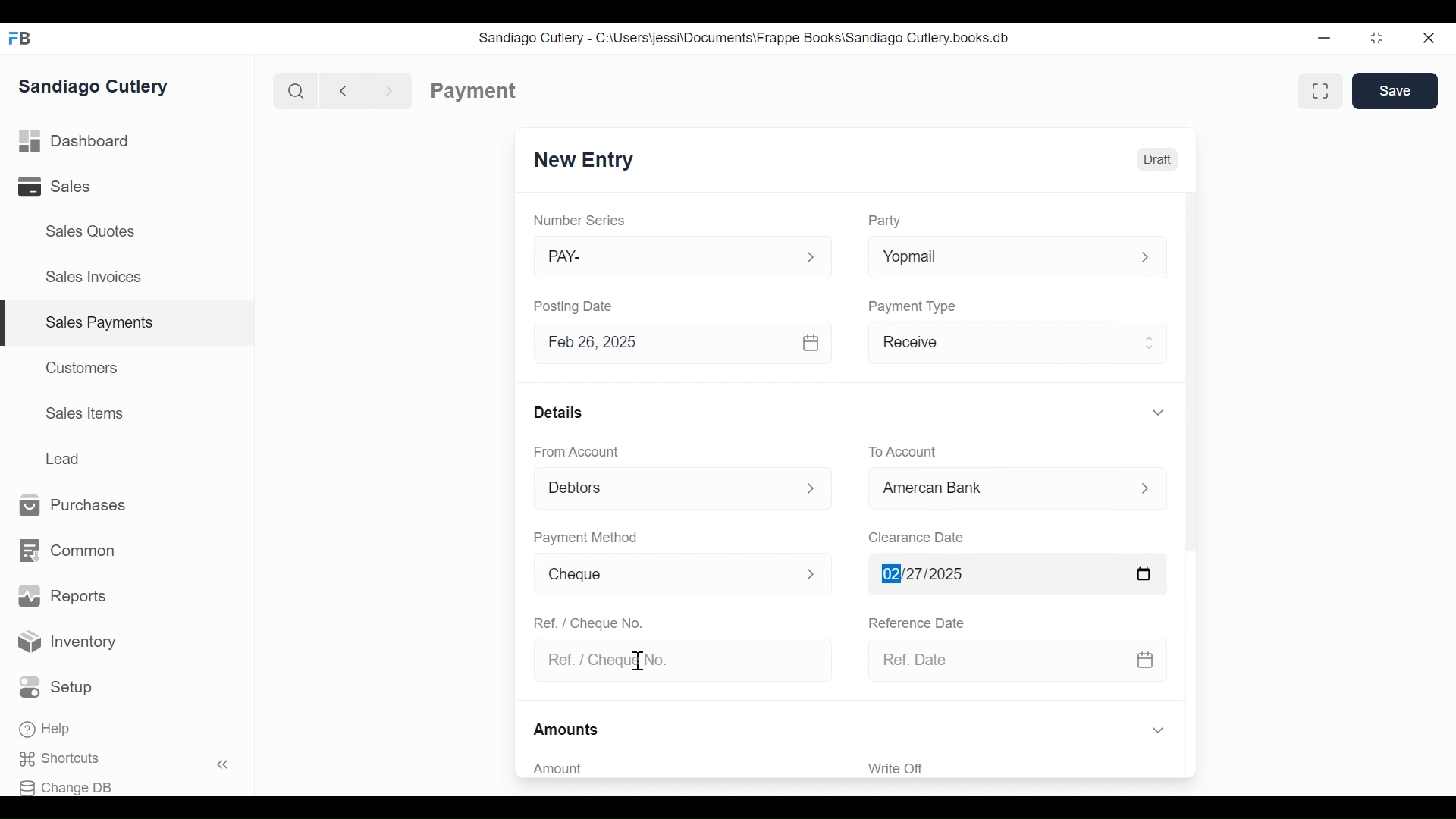  Describe the element at coordinates (85, 413) in the screenshot. I see `Sales Items` at that location.